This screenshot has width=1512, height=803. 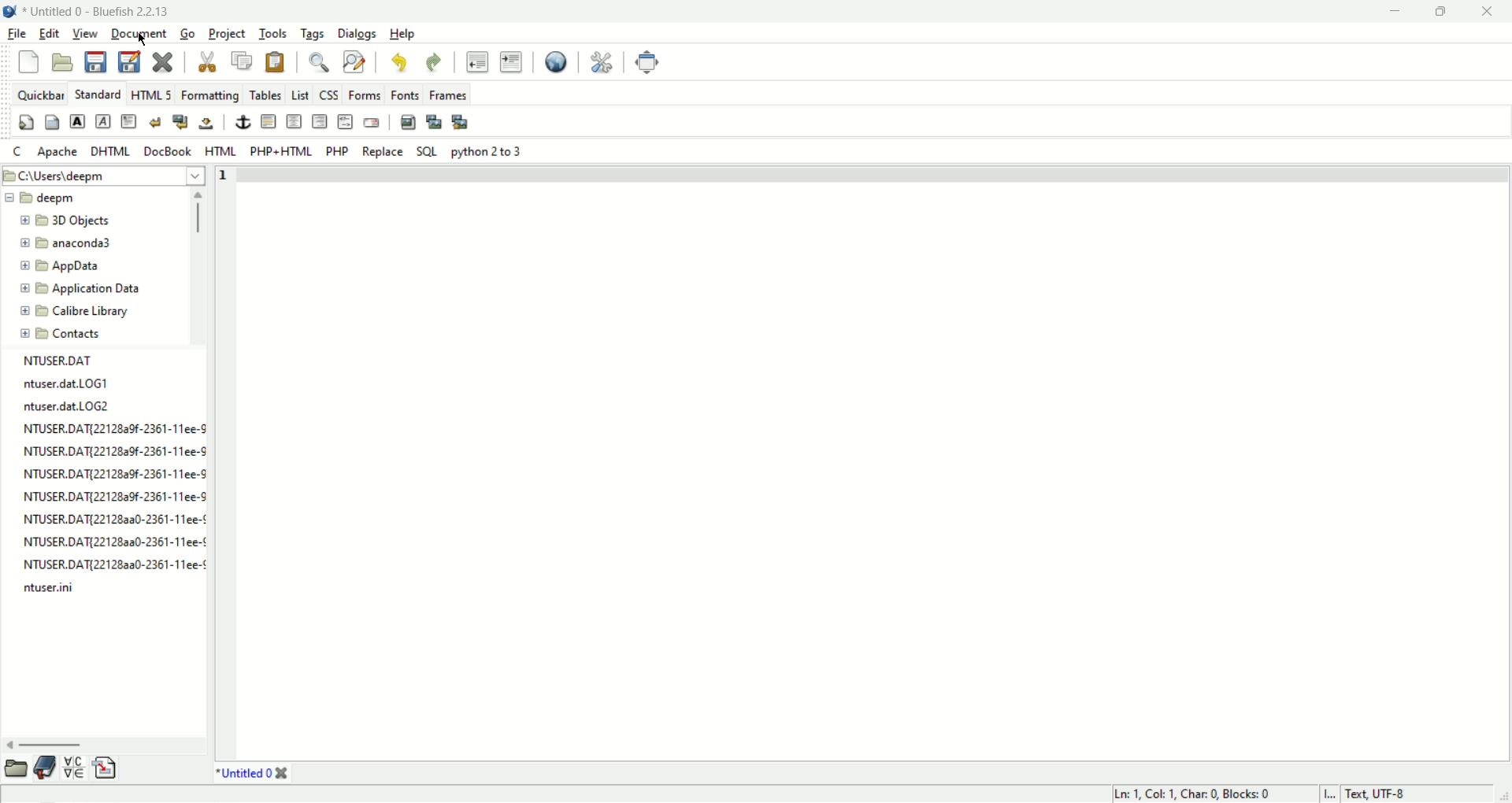 What do you see at coordinates (871, 464) in the screenshot?
I see `editor` at bounding box center [871, 464].